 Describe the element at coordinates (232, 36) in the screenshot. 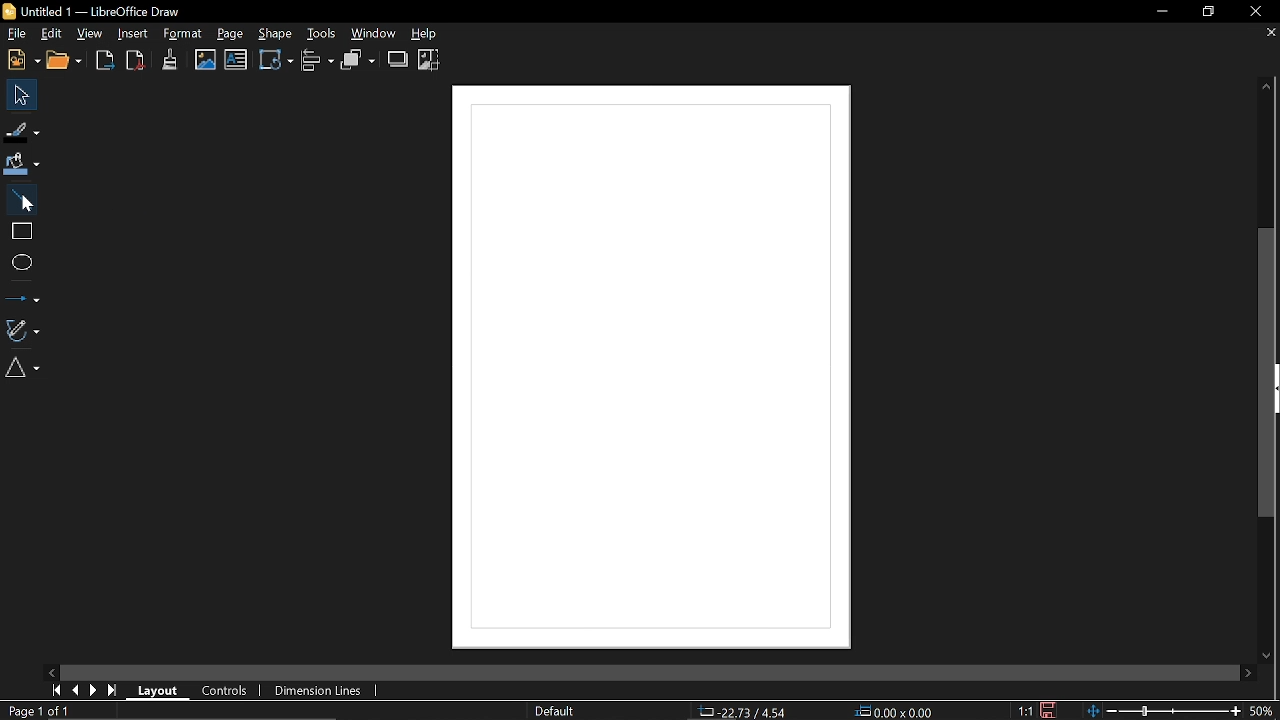

I see `Page` at that location.